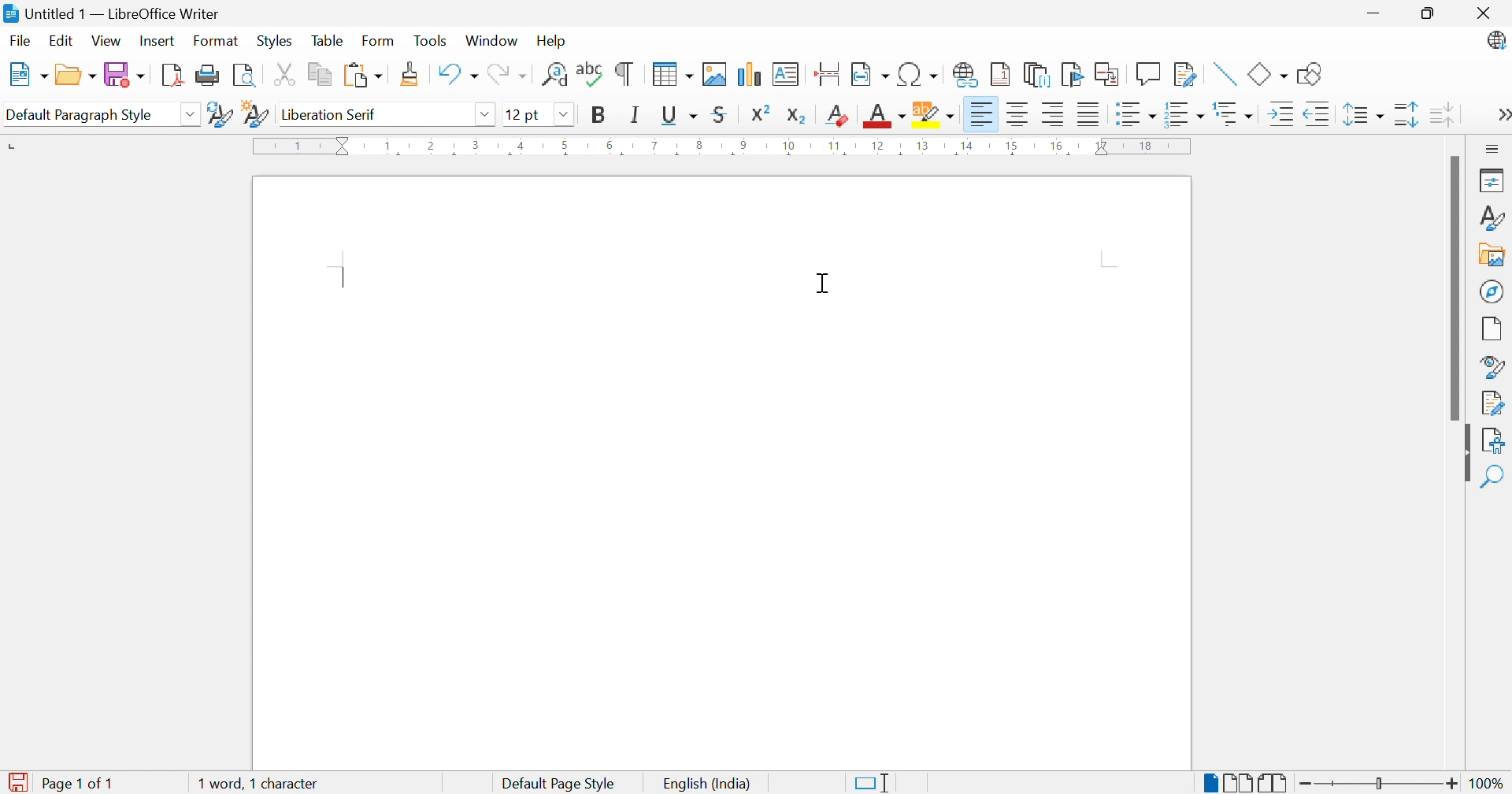  What do you see at coordinates (869, 74) in the screenshot?
I see `Insert Field` at bounding box center [869, 74].